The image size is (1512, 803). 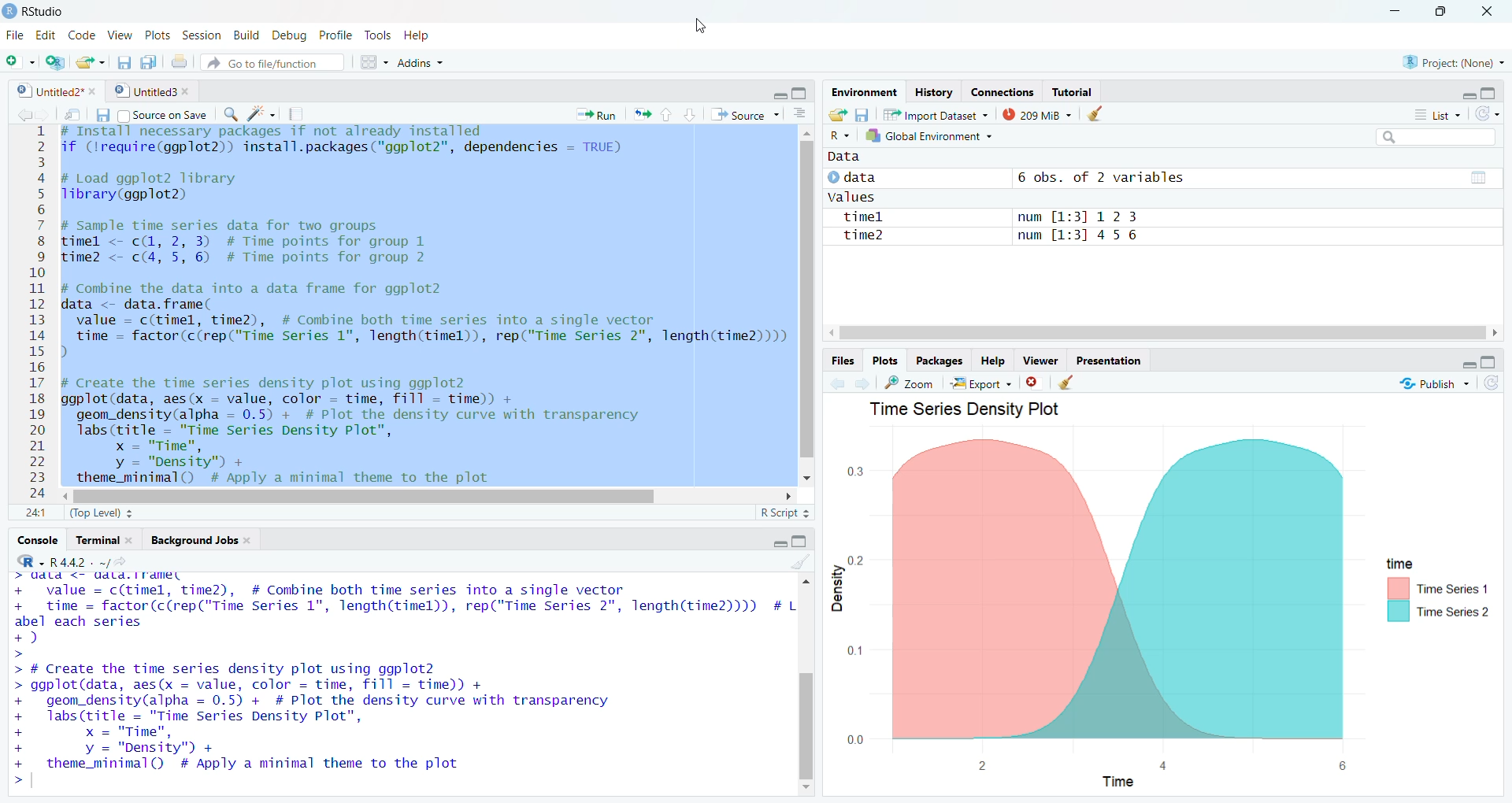 What do you see at coordinates (427, 495) in the screenshot?
I see `Scroll` at bounding box center [427, 495].